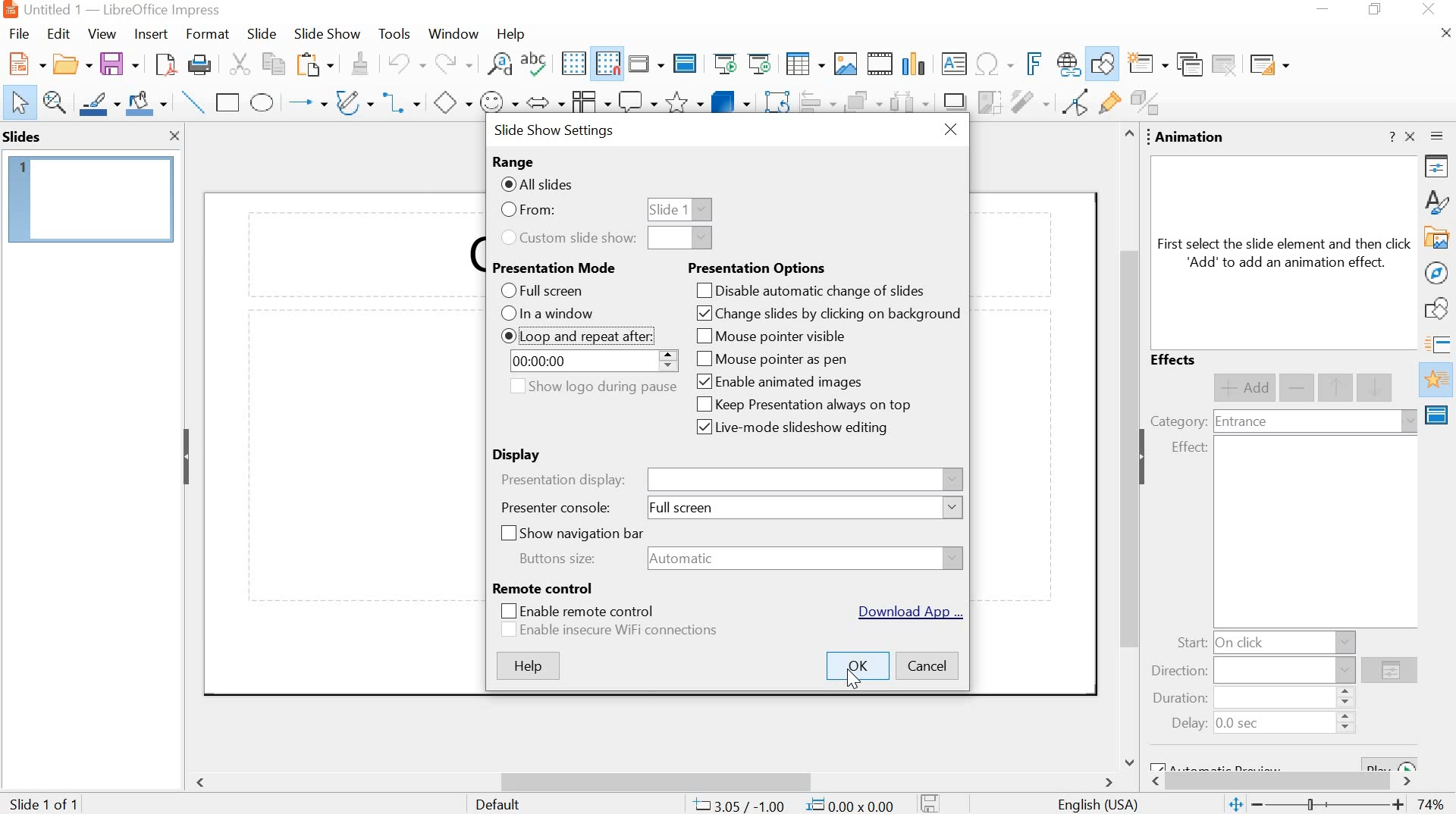 The height and width of the screenshot is (814, 1456). Describe the element at coordinates (47, 802) in the screenshot. I see `slide 1 of 1` at that location.